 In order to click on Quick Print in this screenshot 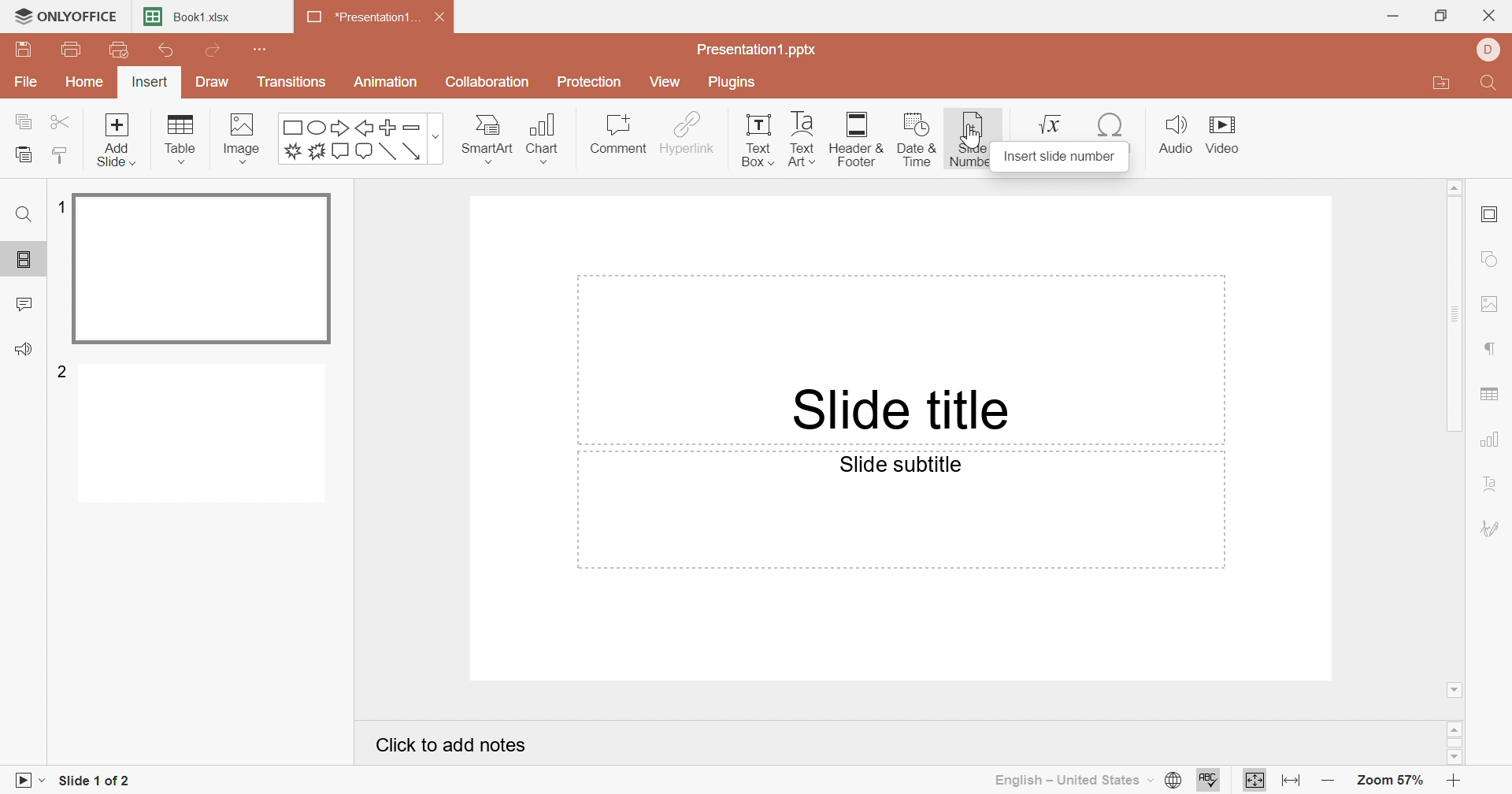, I will do `click(115, 50)`.